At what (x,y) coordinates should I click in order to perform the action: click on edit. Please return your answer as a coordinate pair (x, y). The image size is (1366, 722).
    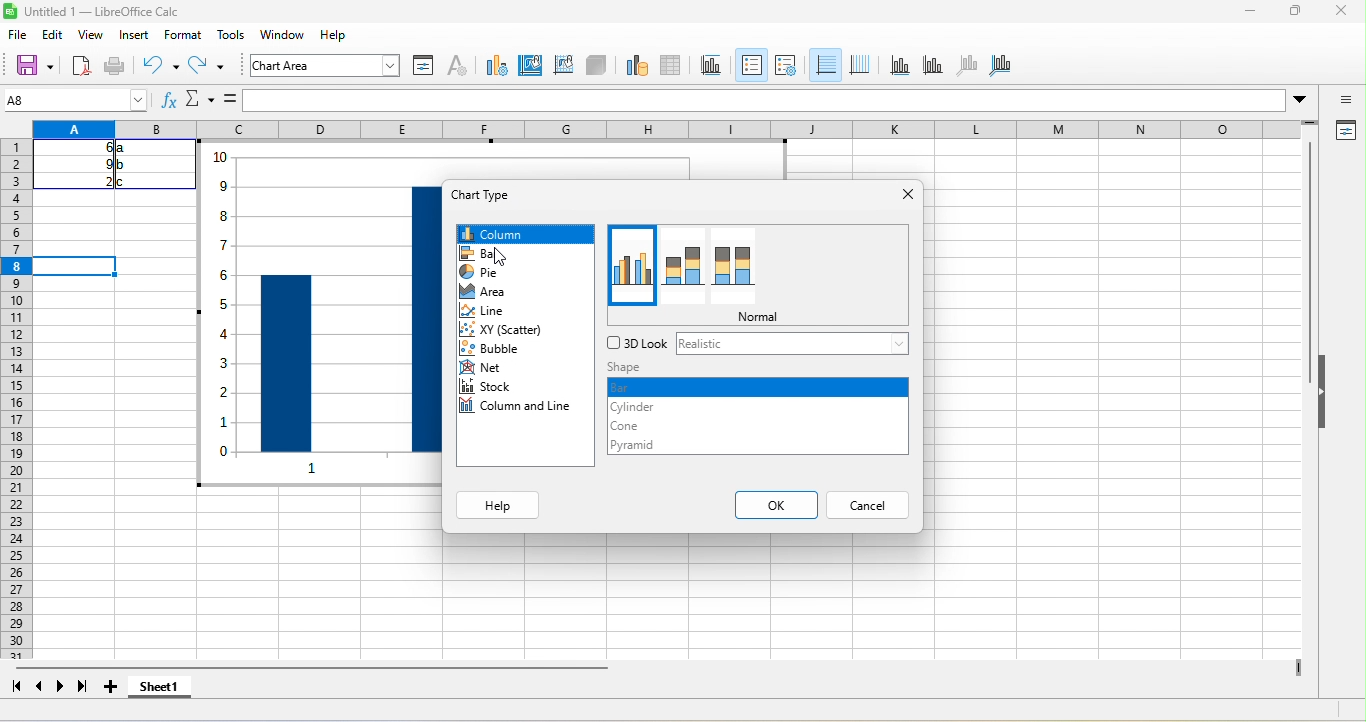
    Looking at the image, I should click on (56, 33).